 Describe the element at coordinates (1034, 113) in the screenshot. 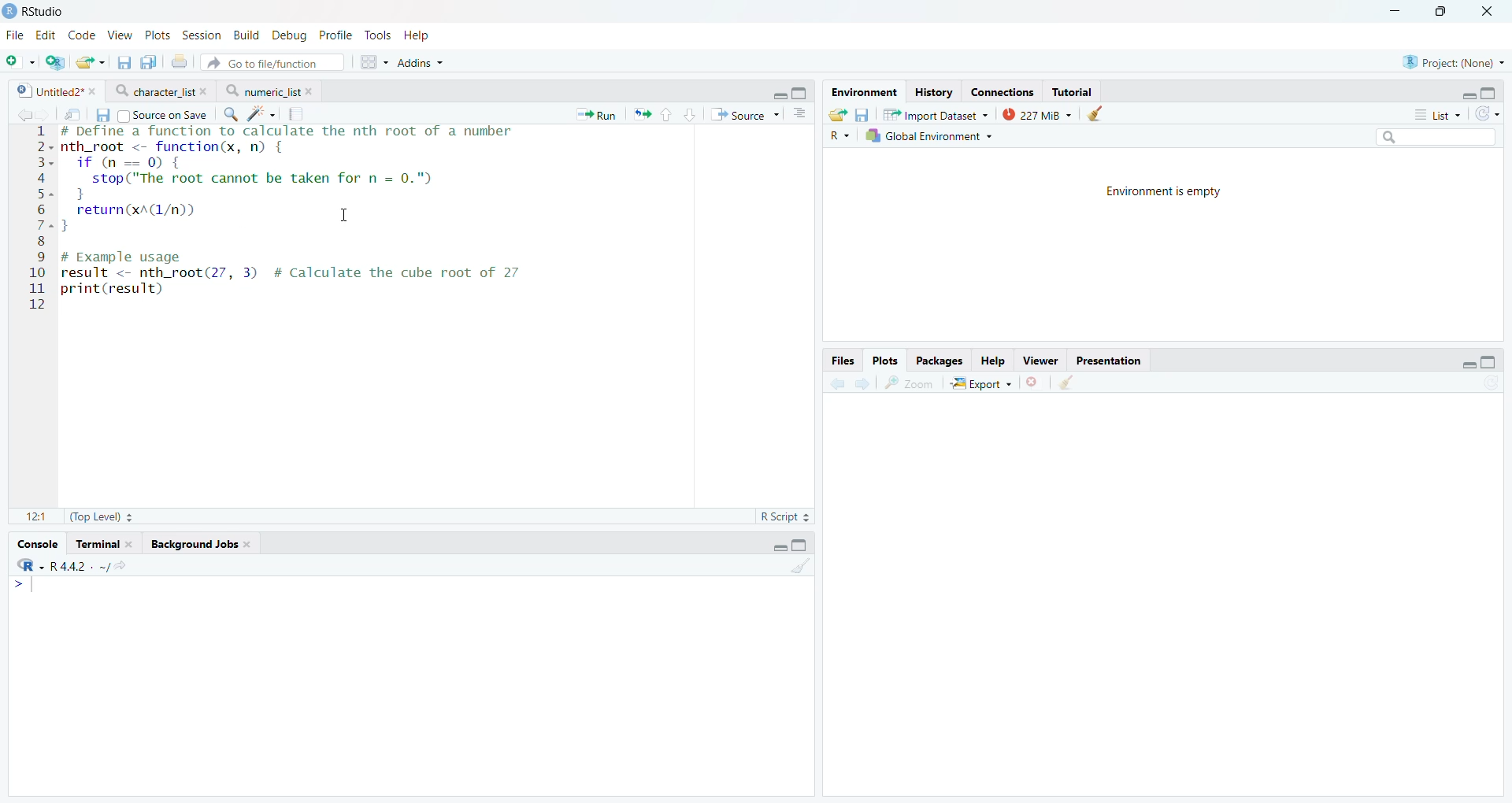

I see `227 MiB` at that location.